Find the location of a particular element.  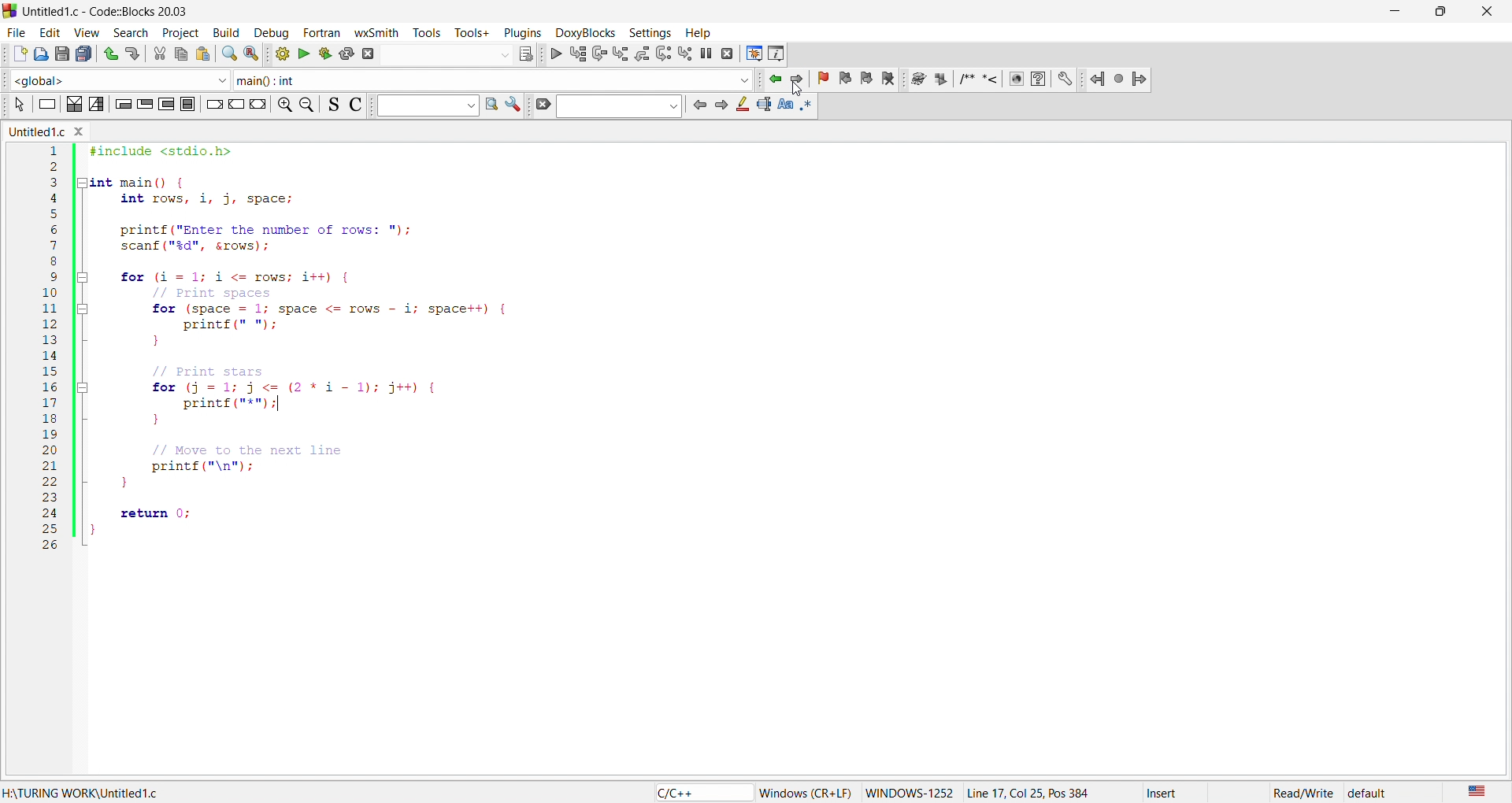

save all is located at coordinates (82, 54).